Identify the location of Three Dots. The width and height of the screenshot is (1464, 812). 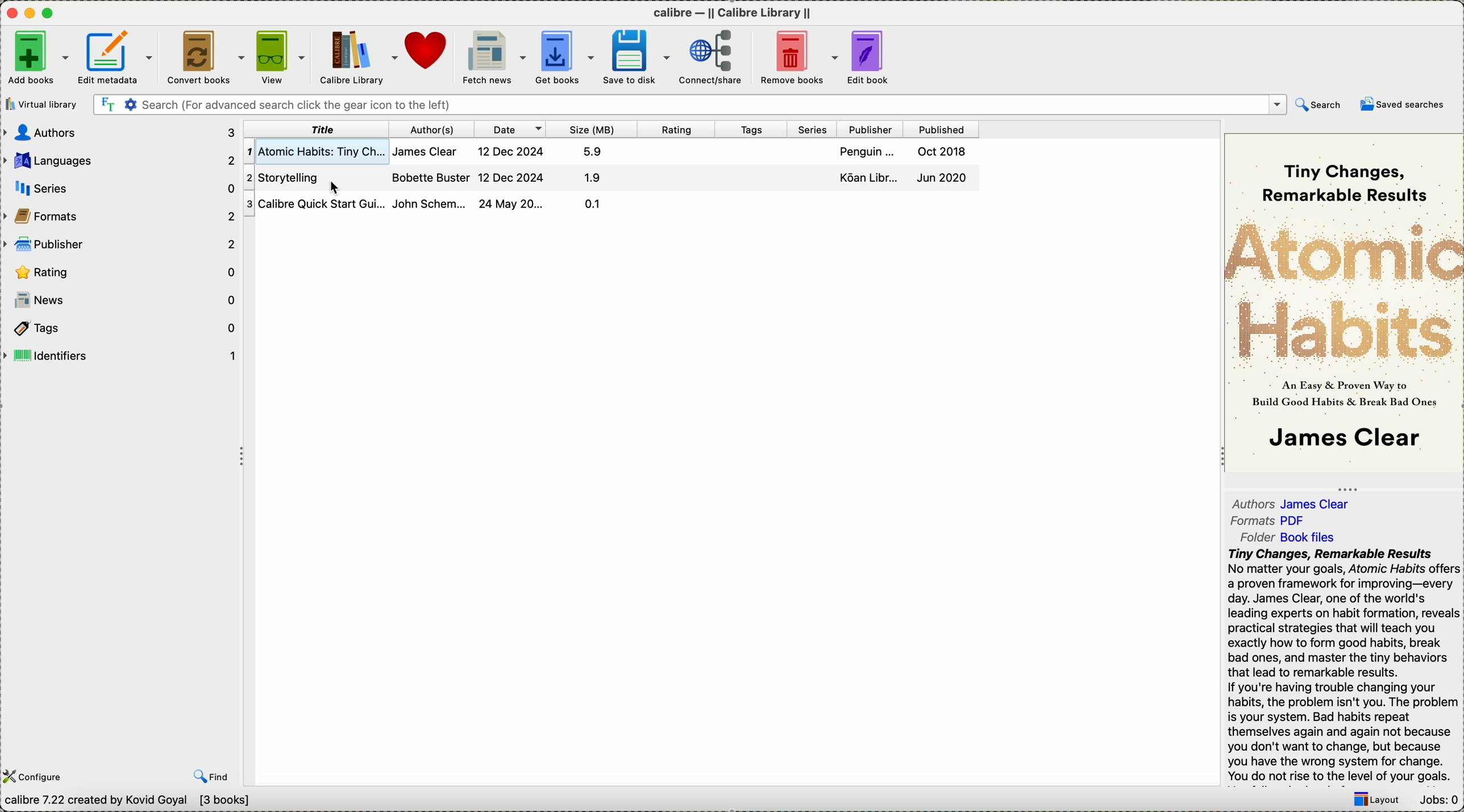
(1345, 488).